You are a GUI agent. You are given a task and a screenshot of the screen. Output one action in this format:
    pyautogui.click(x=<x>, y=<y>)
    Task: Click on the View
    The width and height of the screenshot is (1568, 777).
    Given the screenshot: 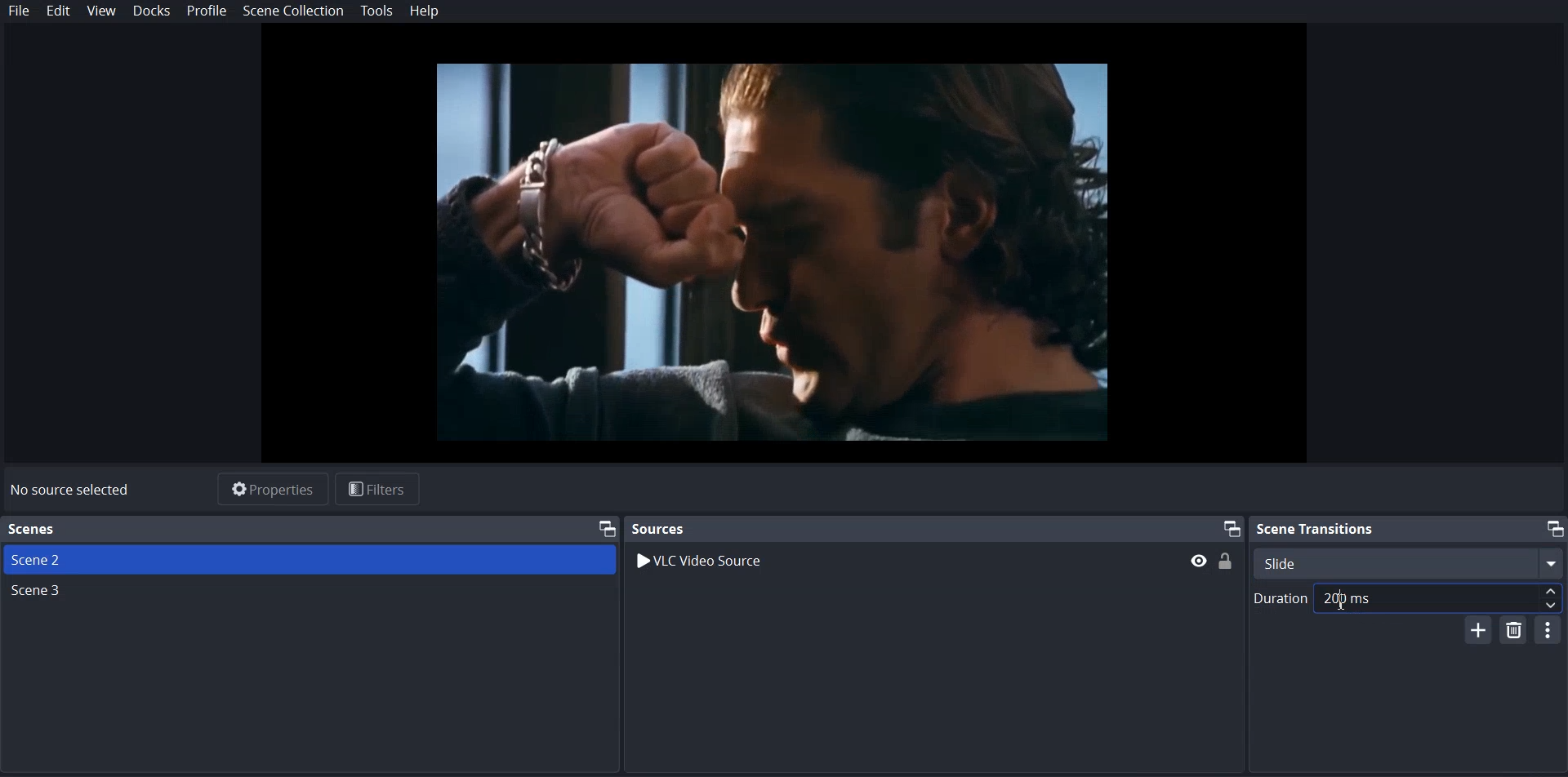 What is the action you would take?
    pyautogui.click(x=100, y=11)
    